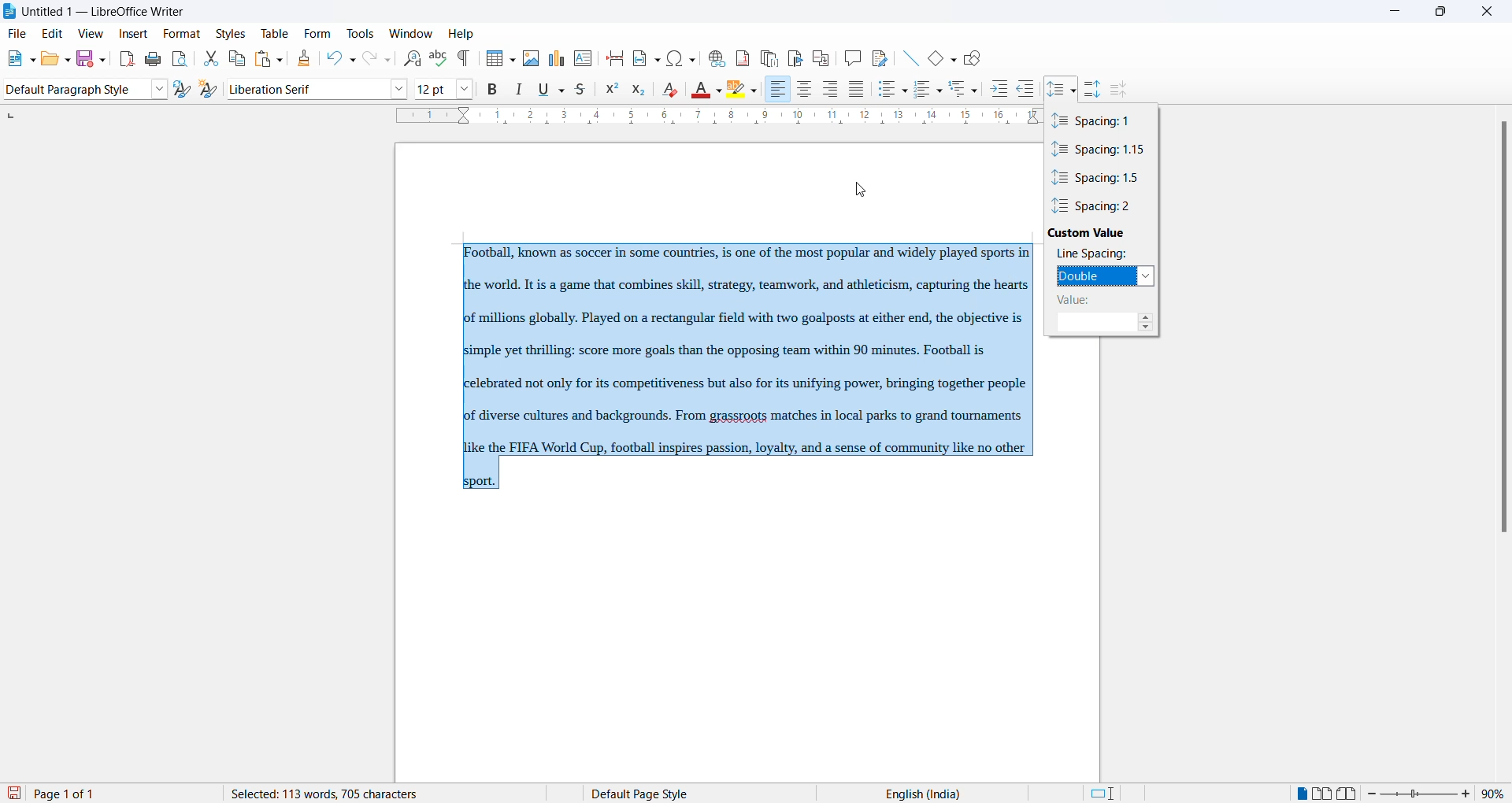 This screenshot has width=1512, height=803. What do you see at coordinates (778, 90) in the screenshot?
I see `text align right` at bounding box center [778, 90].